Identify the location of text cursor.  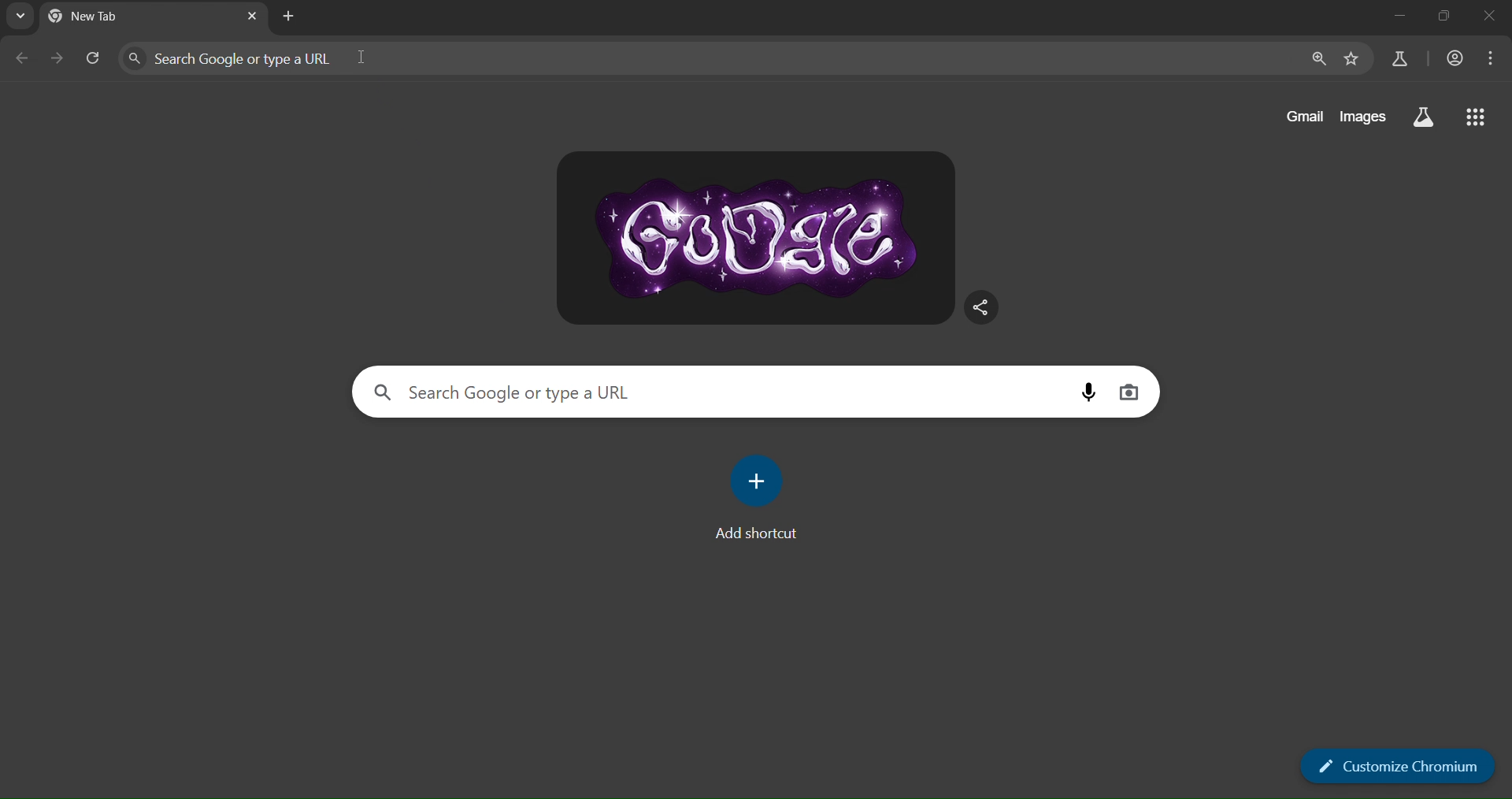
(361, 56).